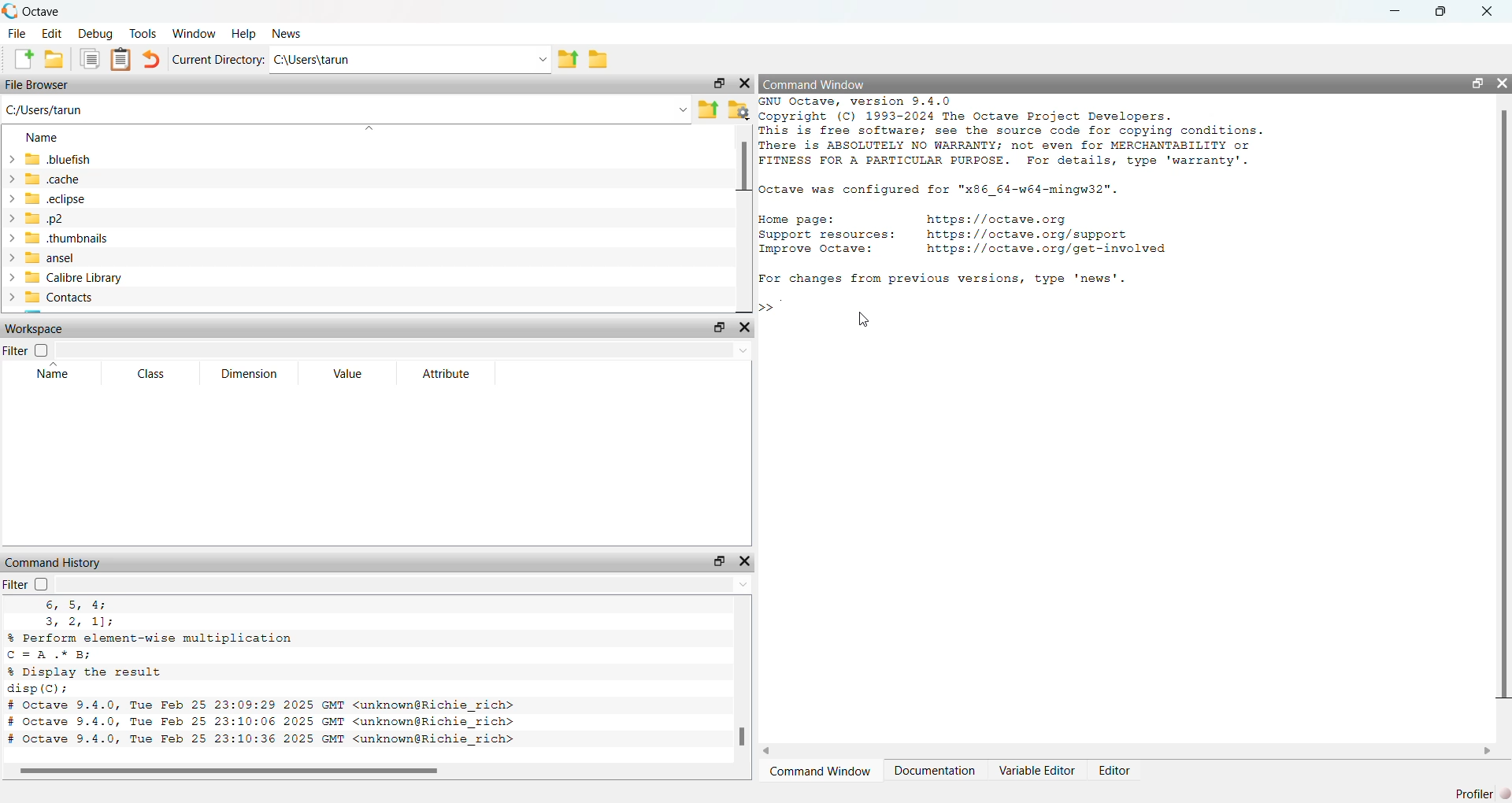  Describe the element at coordinates (1036, 770) in the screenshot. I see `Variable Editor` at that location.